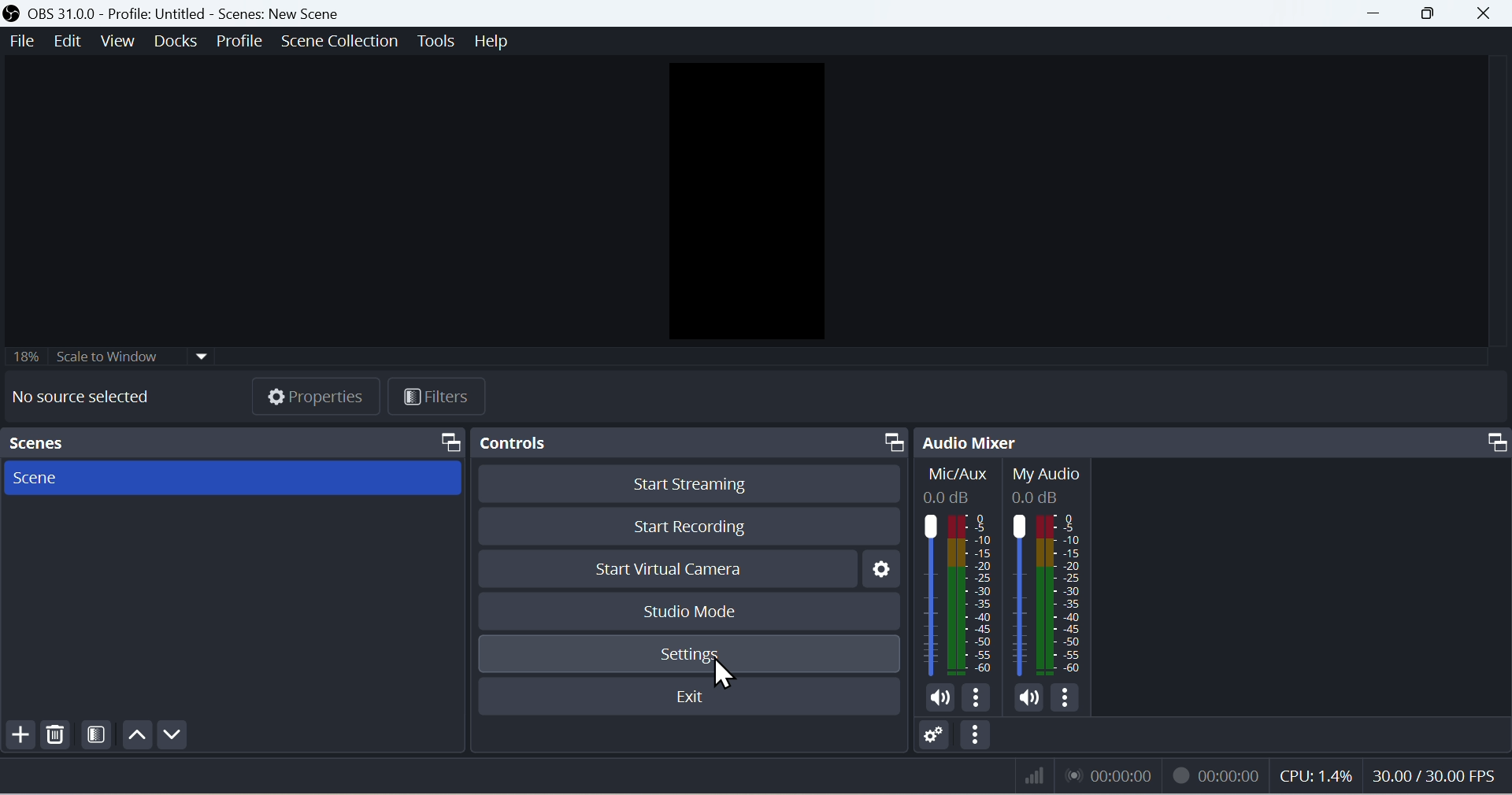 This screenshot has width=1512, height=795. What do you see at coordinates (958, 581) in the screenshot?
I see `Mix/Aux bar` at bounding box center [958, 581].